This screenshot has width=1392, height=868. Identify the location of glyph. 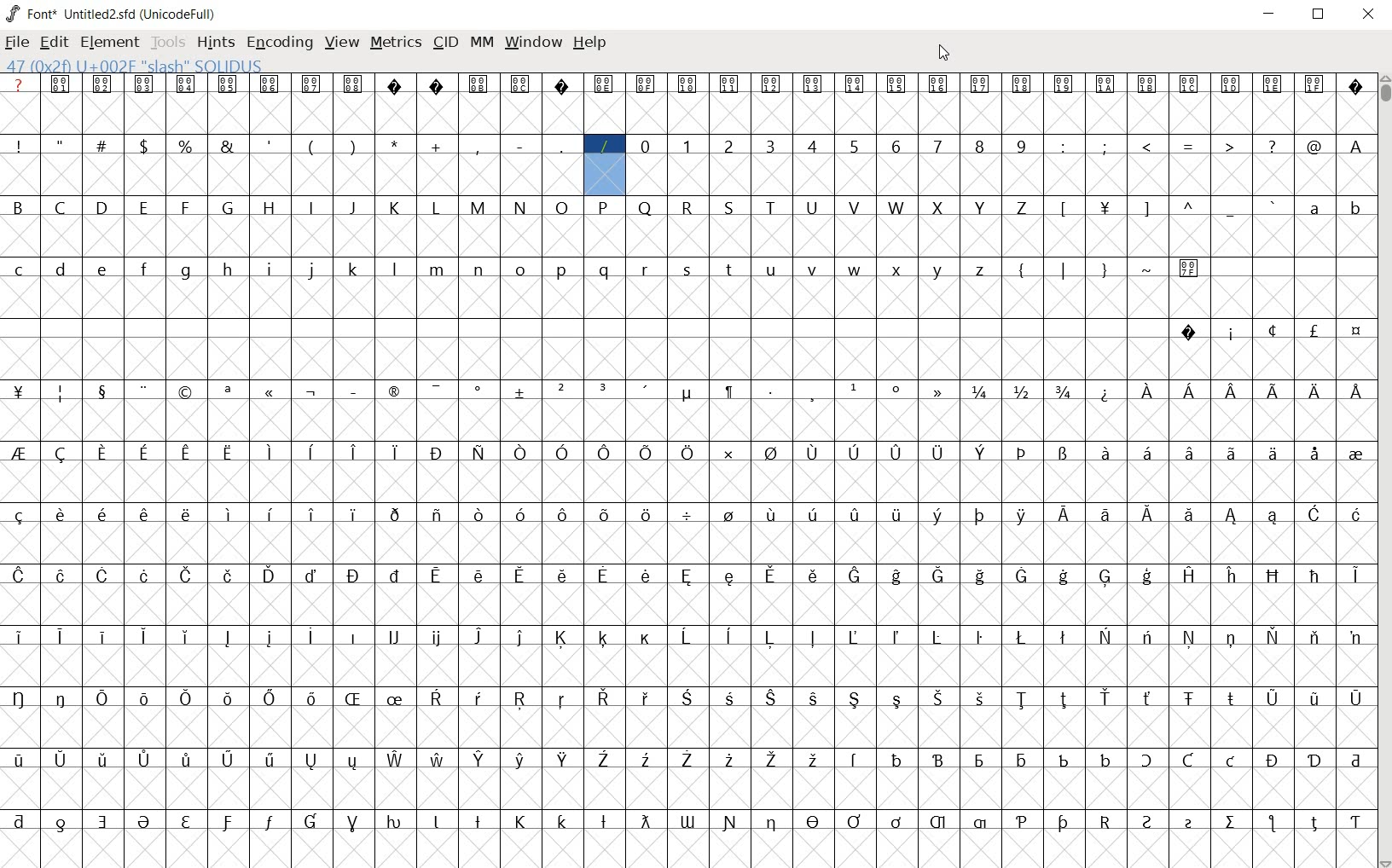
(270, 760).